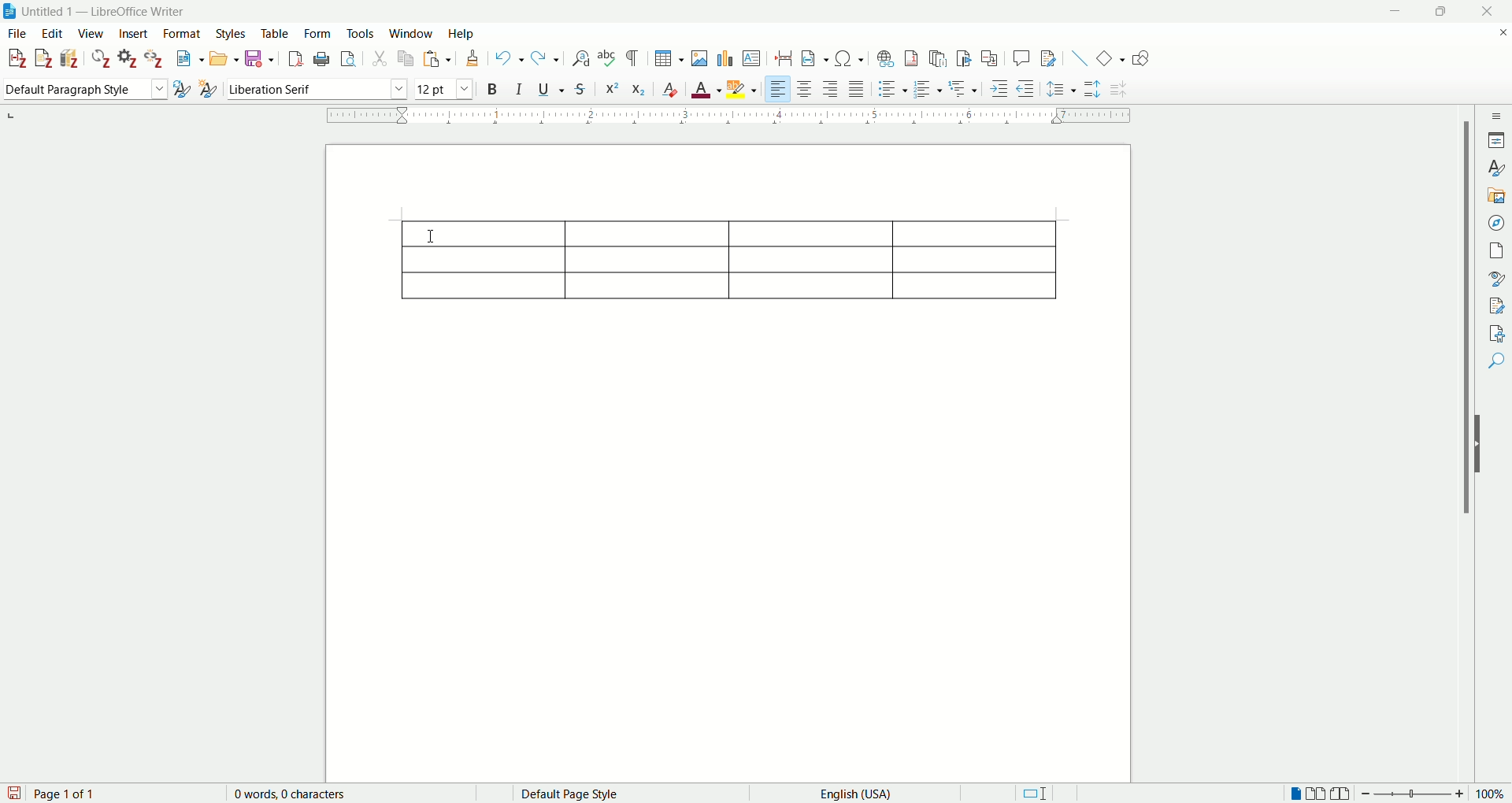 The image size is (1512, 803). What do you see at coordinates (847, 794) in the screenshot?
I see `English (USA)` at bounding box center [847, 794].